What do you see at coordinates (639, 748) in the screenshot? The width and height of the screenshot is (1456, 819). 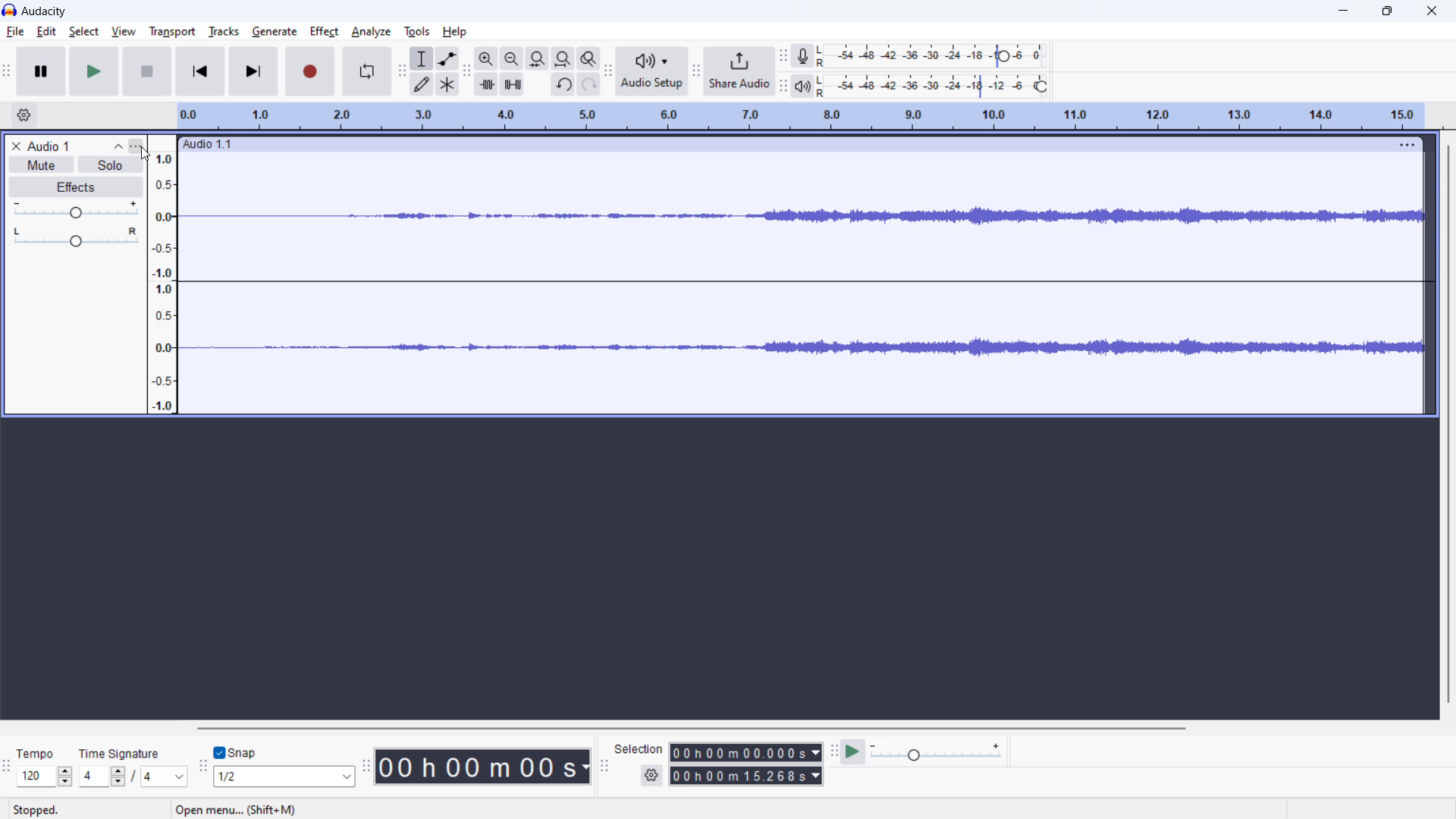 I see `Selection` at bounding box center [639, 748].